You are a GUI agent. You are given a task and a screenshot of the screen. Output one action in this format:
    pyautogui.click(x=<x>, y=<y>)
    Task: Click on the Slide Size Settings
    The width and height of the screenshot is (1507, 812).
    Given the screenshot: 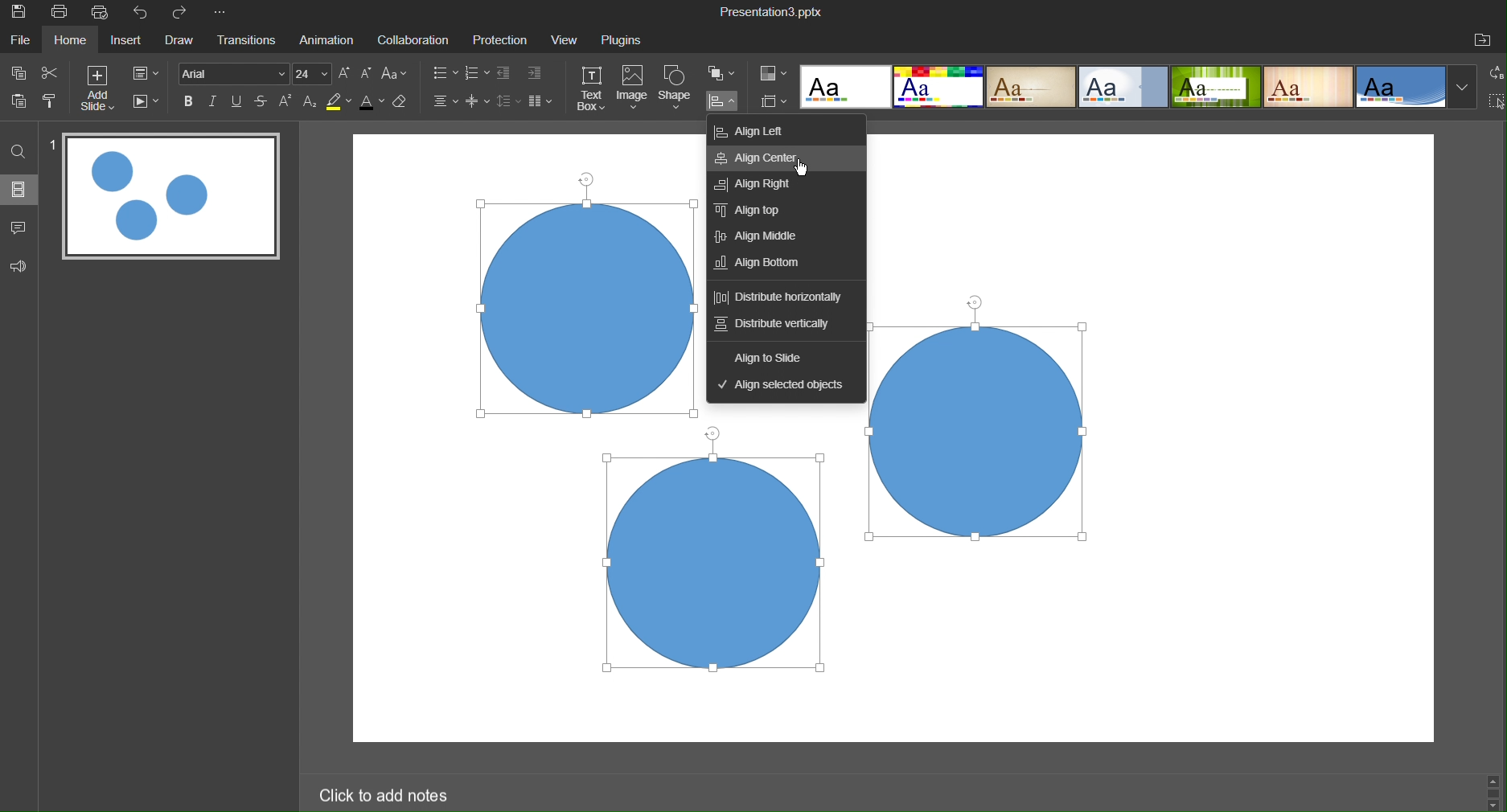 What is the action you would take?
    pyautogui.click(x=774, y=101)
    